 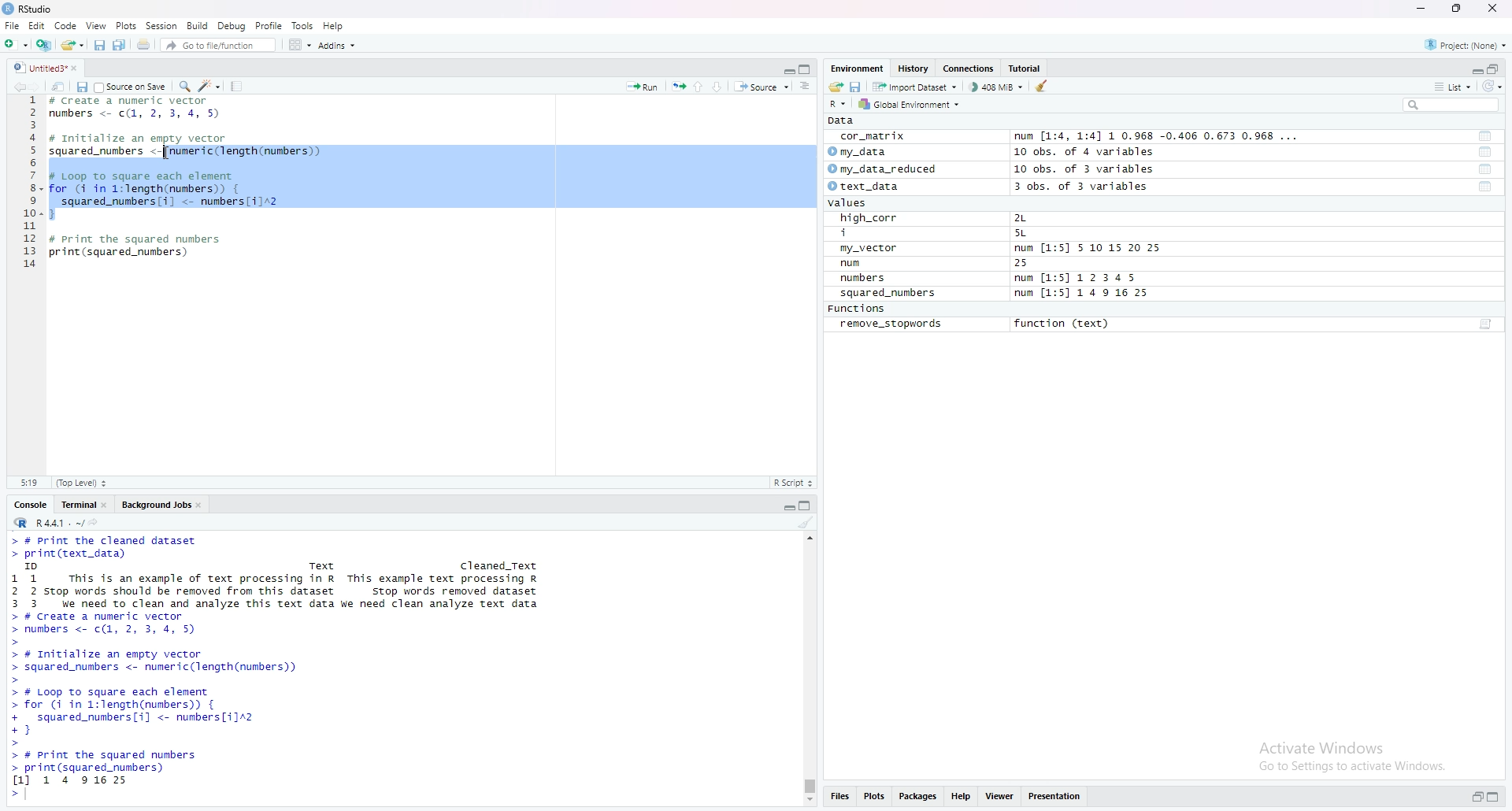 I want to click on unititled3*, so click(x=37, y=67).